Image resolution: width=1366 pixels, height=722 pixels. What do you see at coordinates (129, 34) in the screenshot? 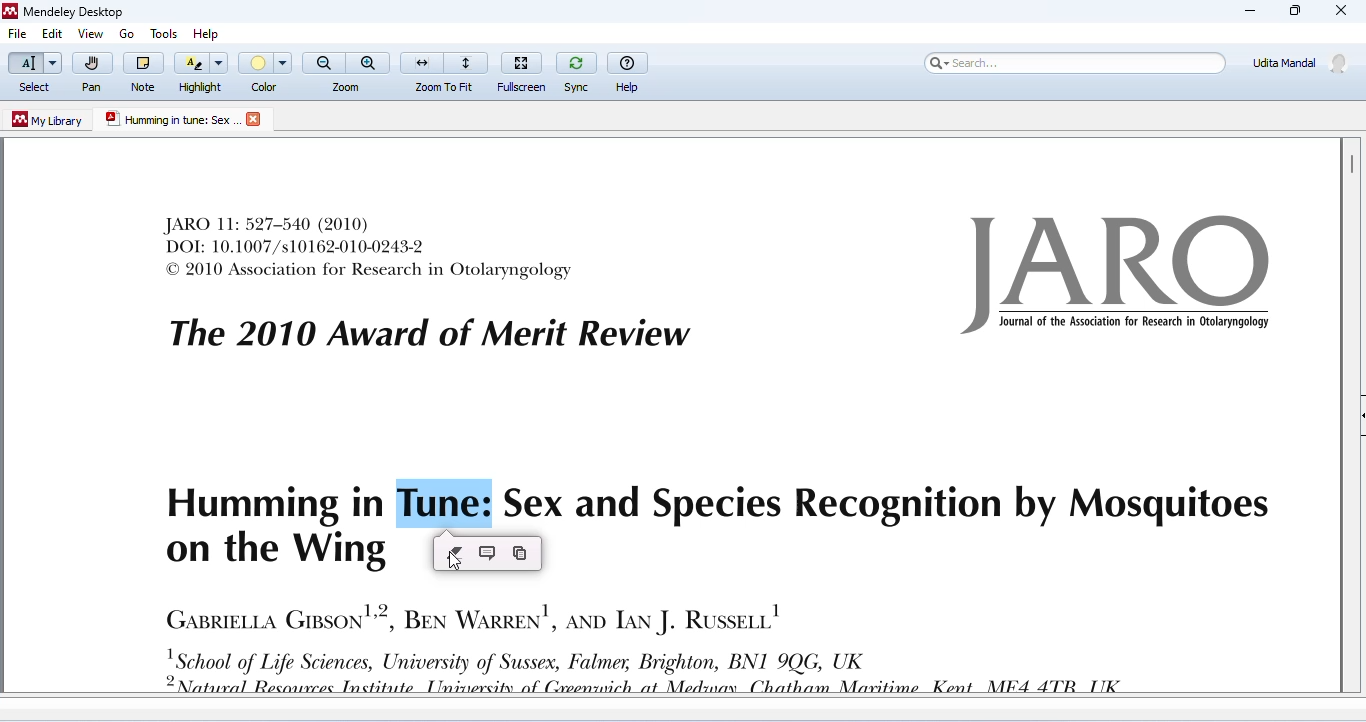
I see `Go` at bounding box center [129, 34].